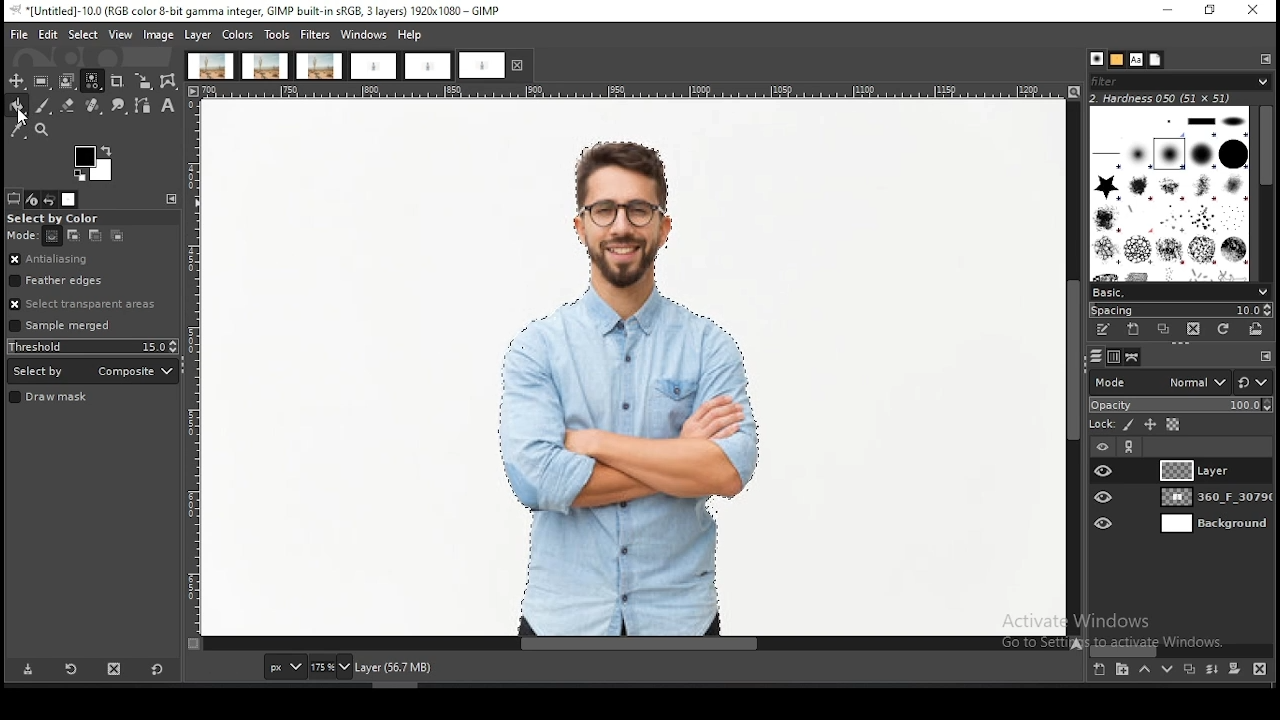 The width and height of the screenshot is (1280, 720). What do you see at coordinates (16, 130) in the screenshot?
I see `color picker tool` at bounding box center [16, 130].